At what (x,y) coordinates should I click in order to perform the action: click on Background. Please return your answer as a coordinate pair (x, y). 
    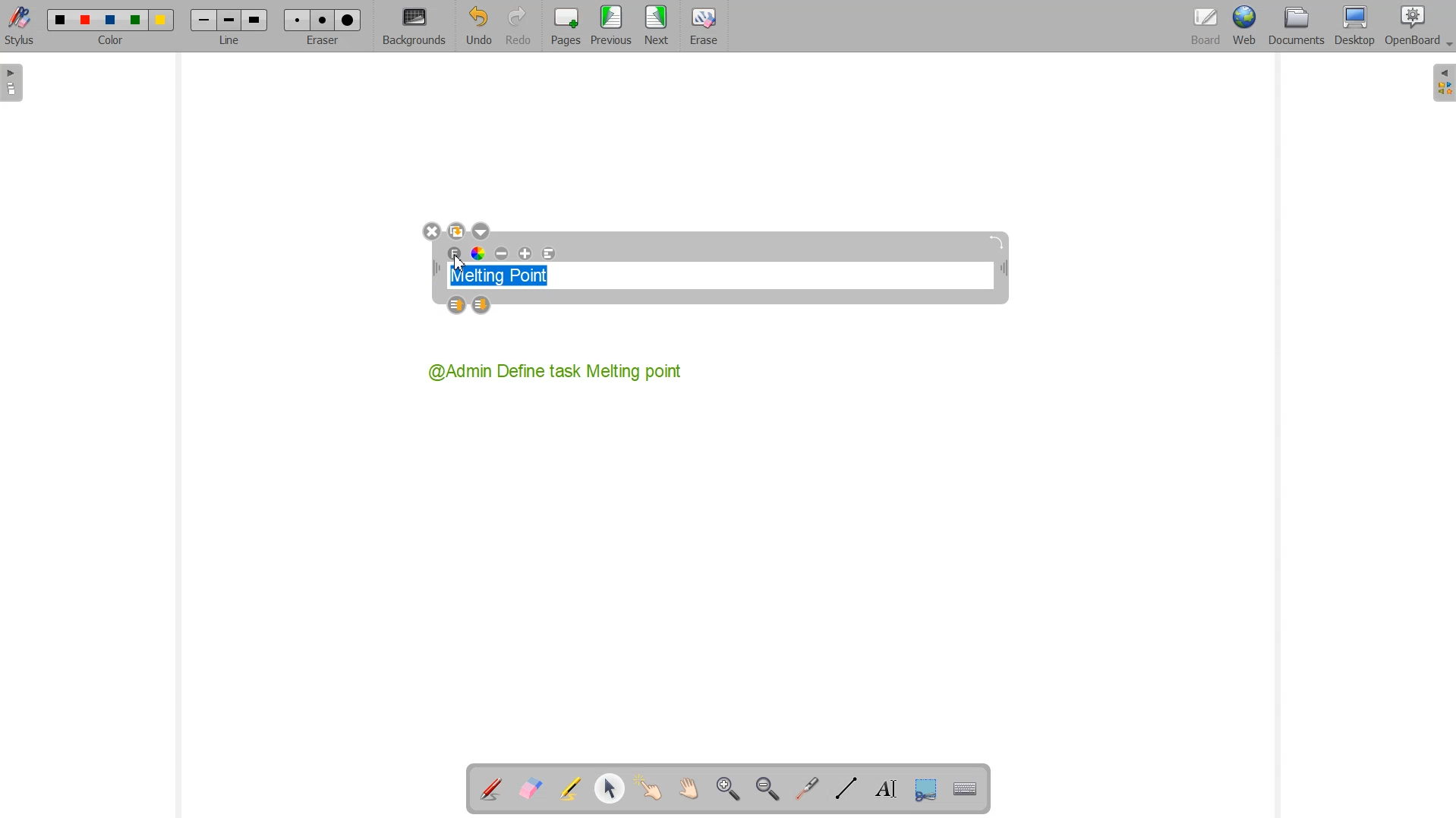
    Looking at the image, I should click on (414, 27).